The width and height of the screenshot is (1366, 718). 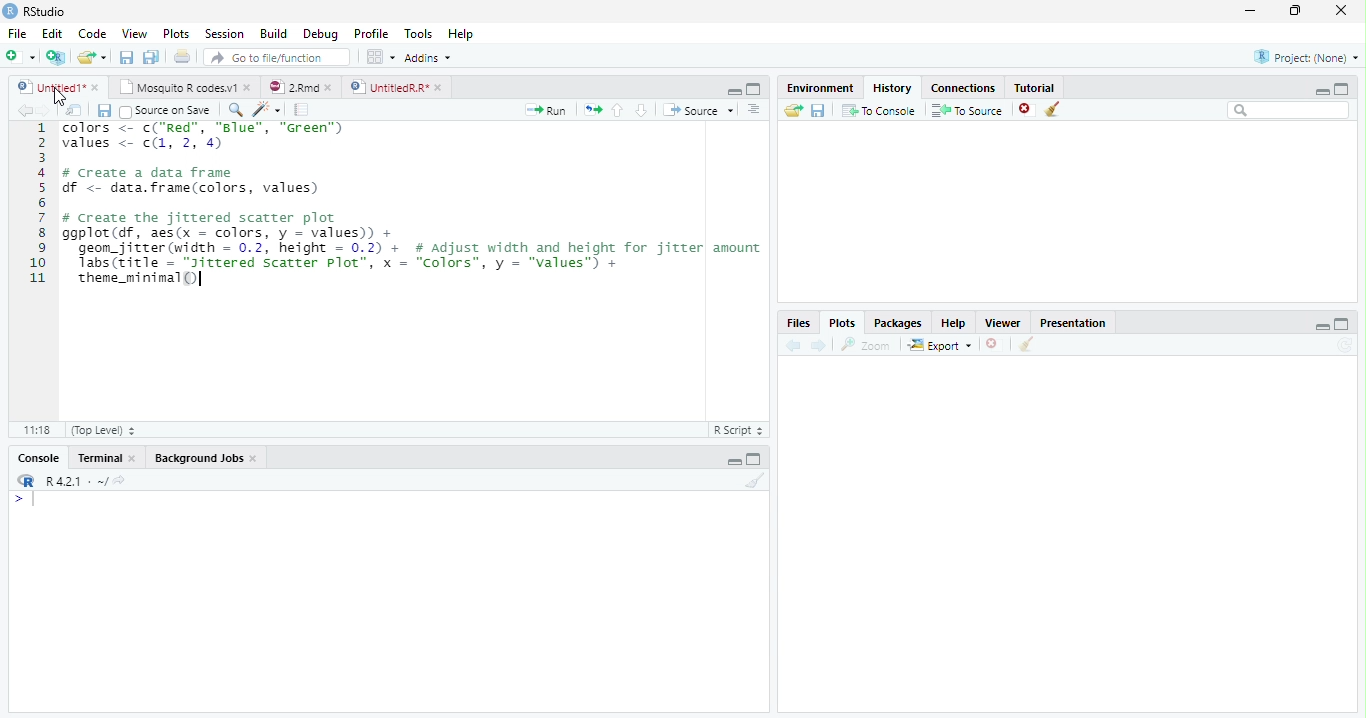 I want to click on UntitledR.R*, so click(x=388, y=88).